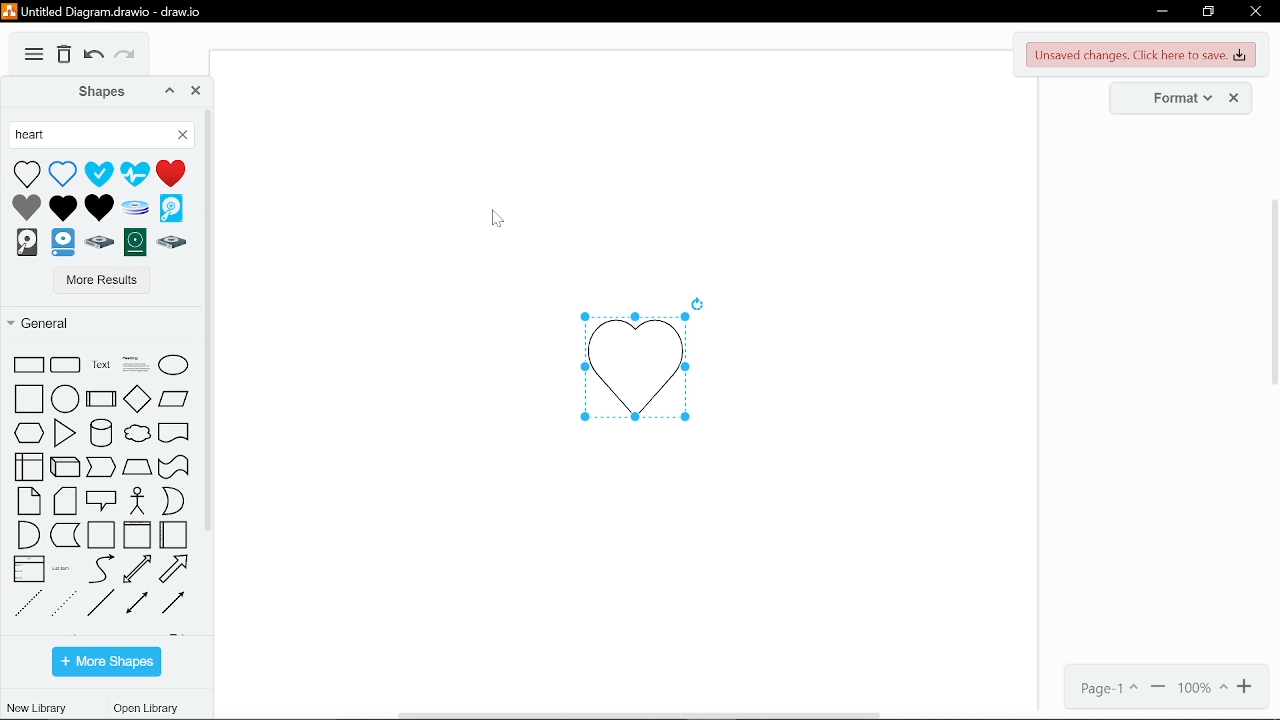 The height and width of the screenshot is (720, 1280). I want to click on restore down, so click(1208, 13).